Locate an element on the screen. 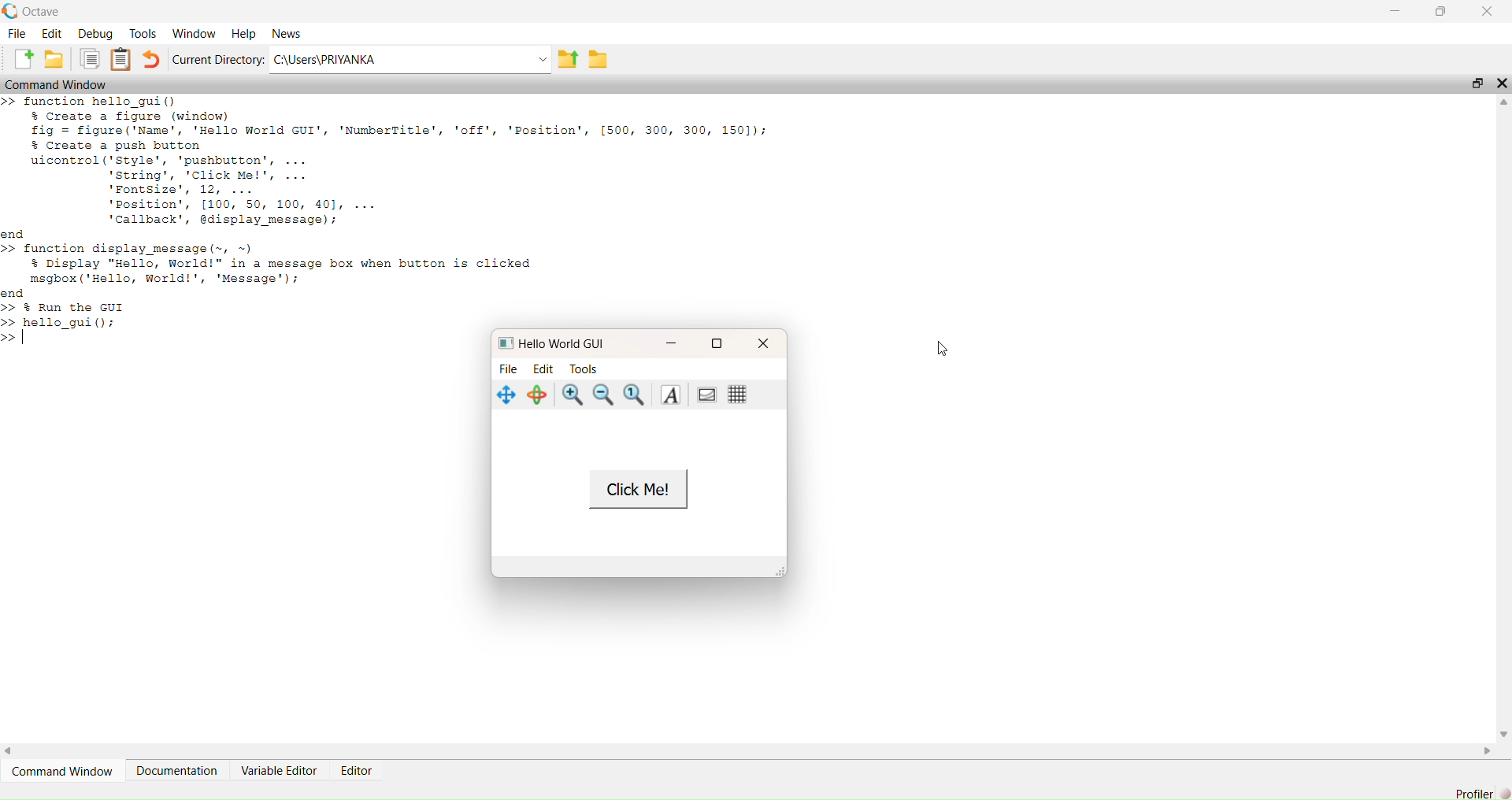  ‘Window is located at coordinates (193, 30).